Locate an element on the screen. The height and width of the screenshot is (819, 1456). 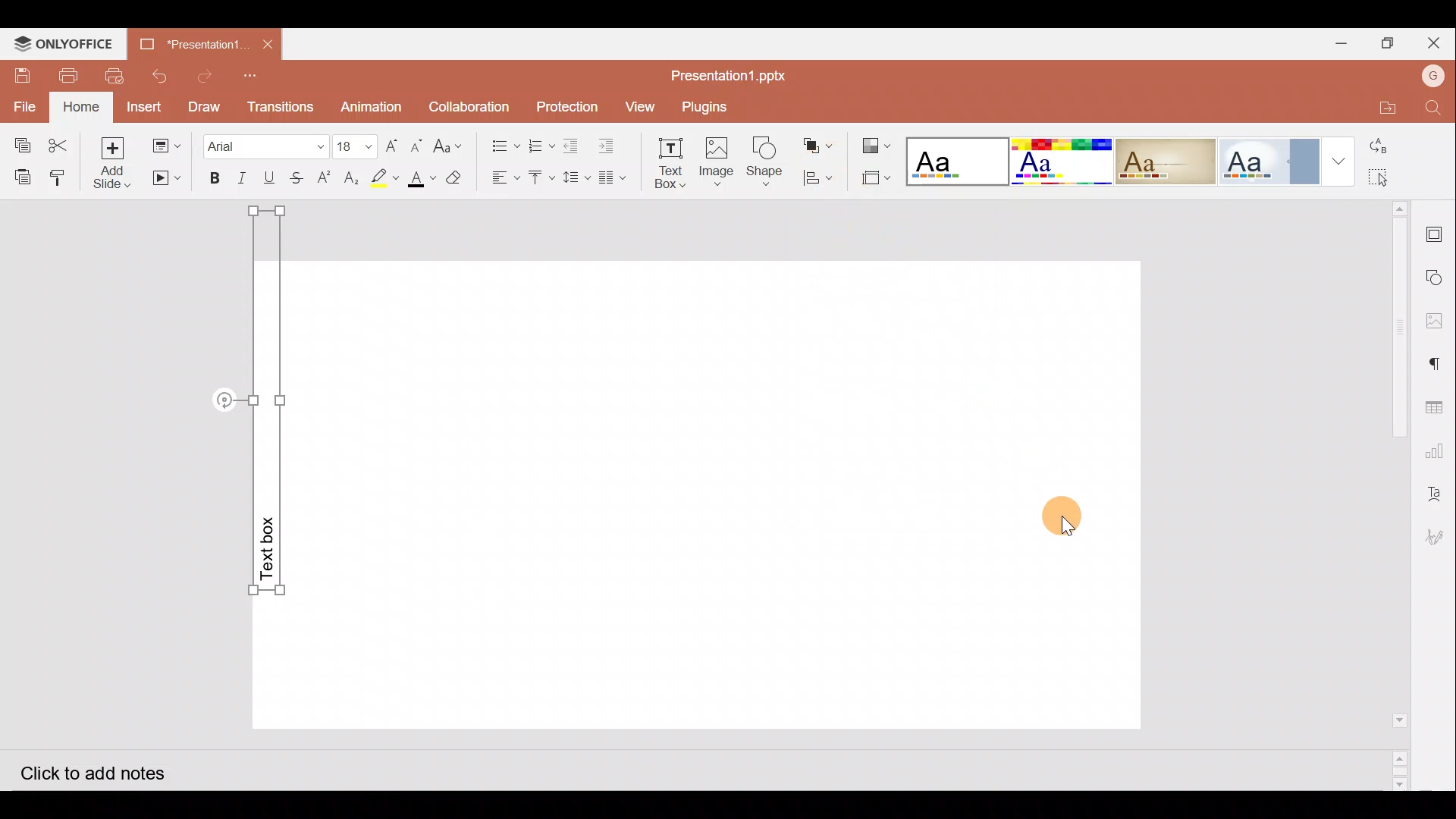
Home is located at coordinates (83, 106).